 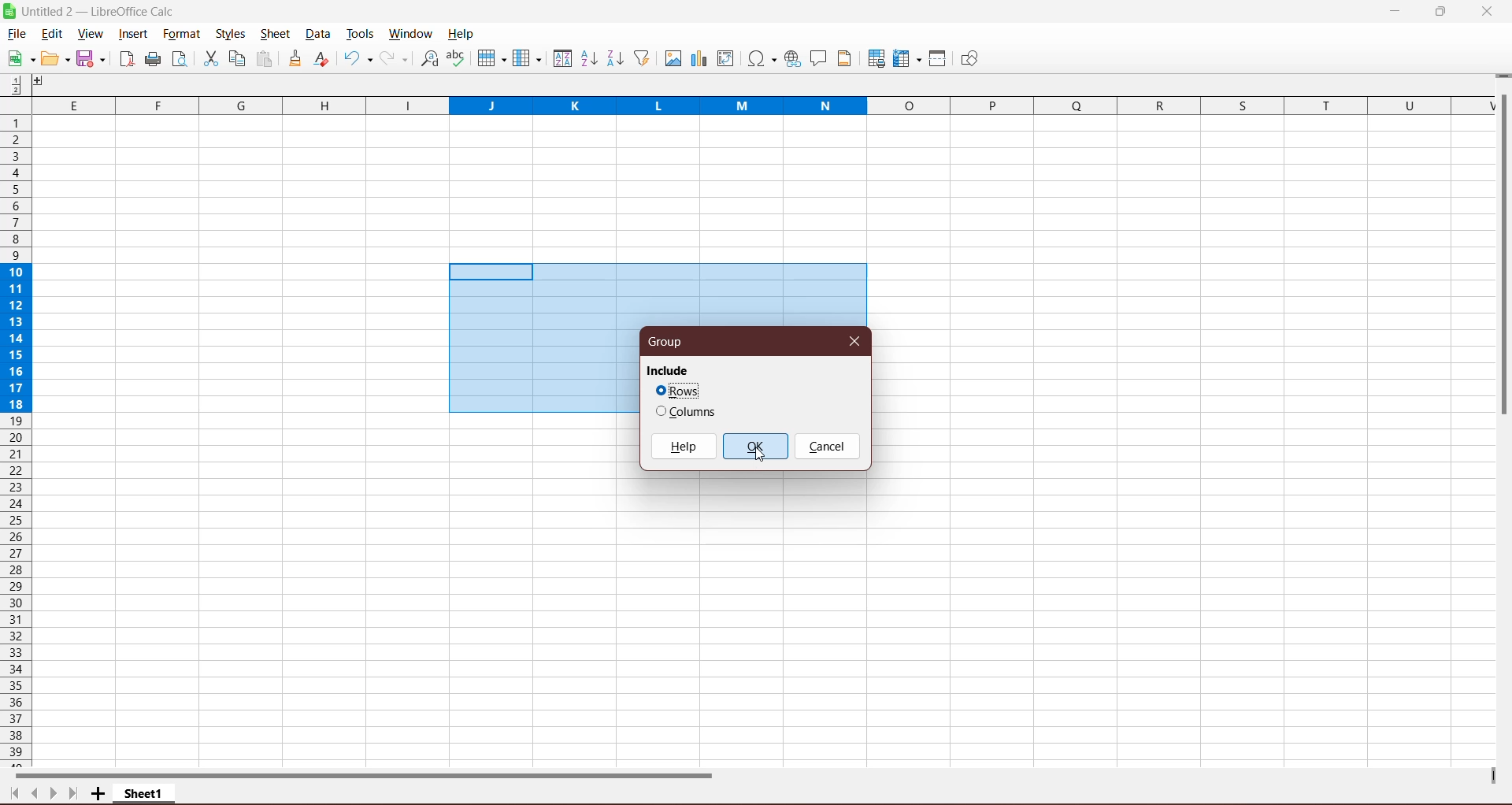 What do you see at coordinates (276, 35) in the screenshot?
I see `Sheet` at bounding box center [276, 35].